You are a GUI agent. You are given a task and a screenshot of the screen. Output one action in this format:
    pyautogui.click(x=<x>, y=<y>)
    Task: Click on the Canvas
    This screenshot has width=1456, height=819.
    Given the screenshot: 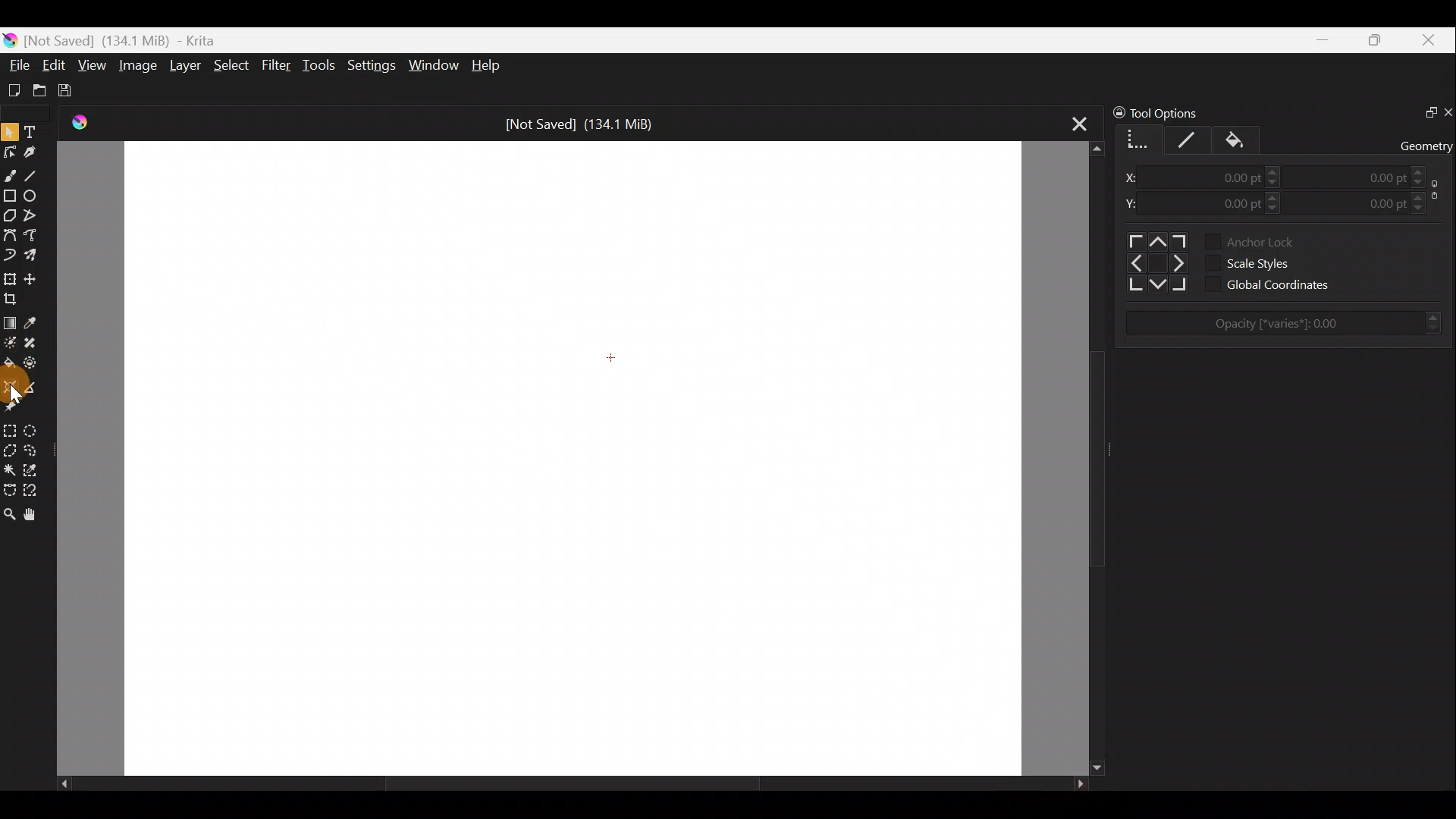 What is the action you would take?
    pyautogui.click(x=566, y=453)
    